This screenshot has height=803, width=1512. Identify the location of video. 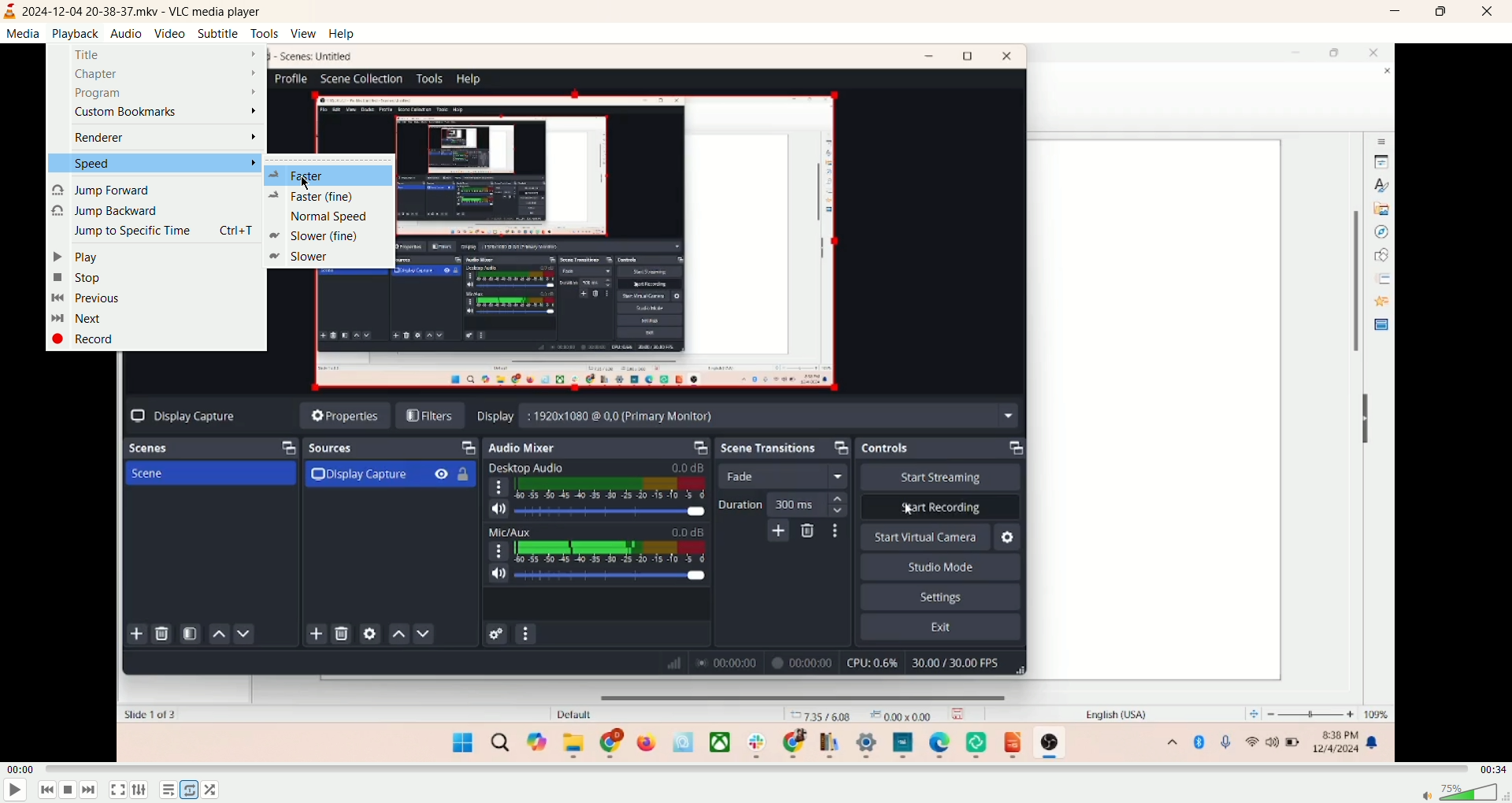
(169, 33).